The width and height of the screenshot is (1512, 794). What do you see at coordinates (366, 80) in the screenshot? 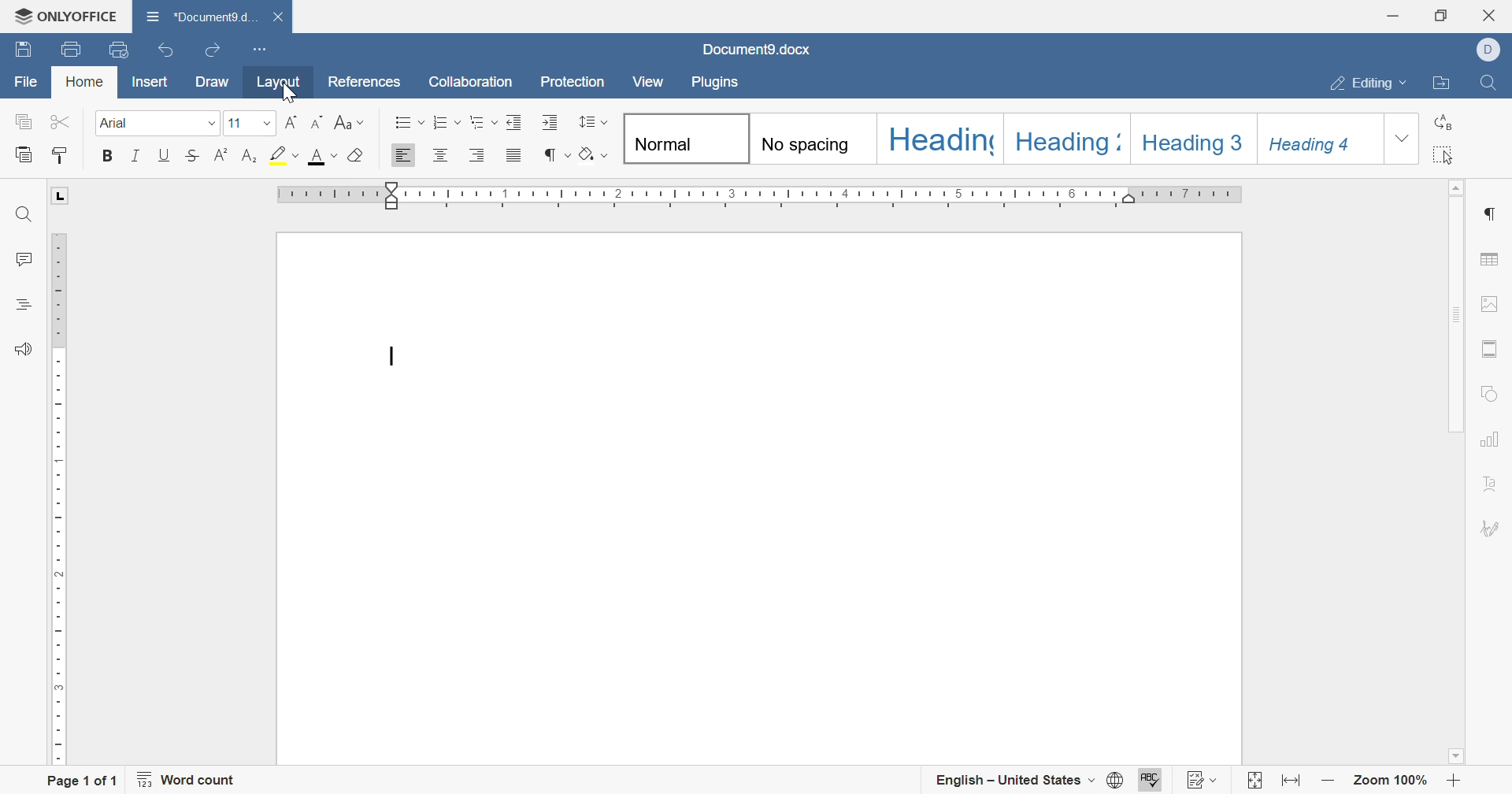
I see `references` at bounding box center [366, 80].